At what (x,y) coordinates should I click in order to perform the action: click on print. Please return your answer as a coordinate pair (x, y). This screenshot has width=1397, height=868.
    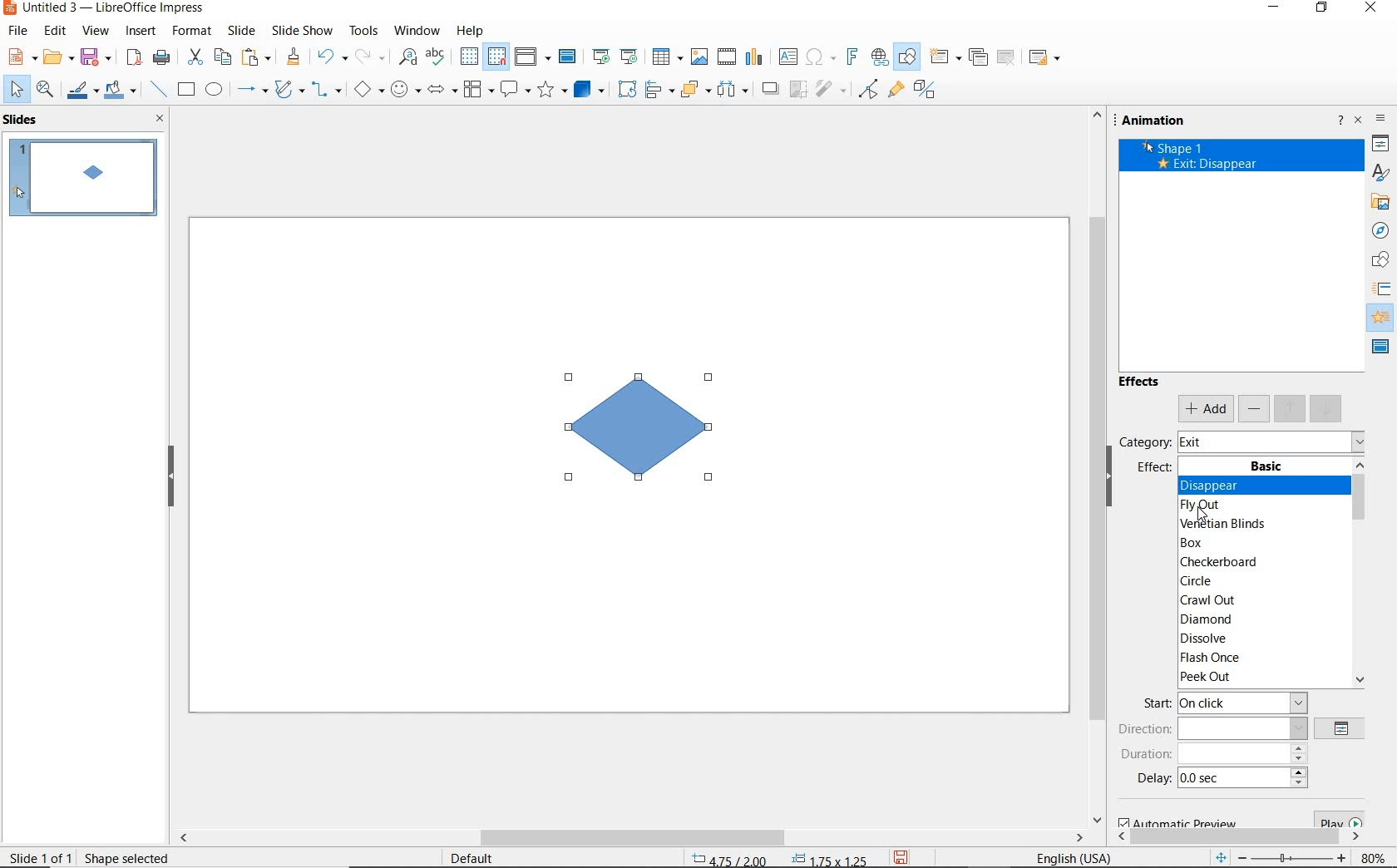
    Looking at the image, I should click on (160, 57).